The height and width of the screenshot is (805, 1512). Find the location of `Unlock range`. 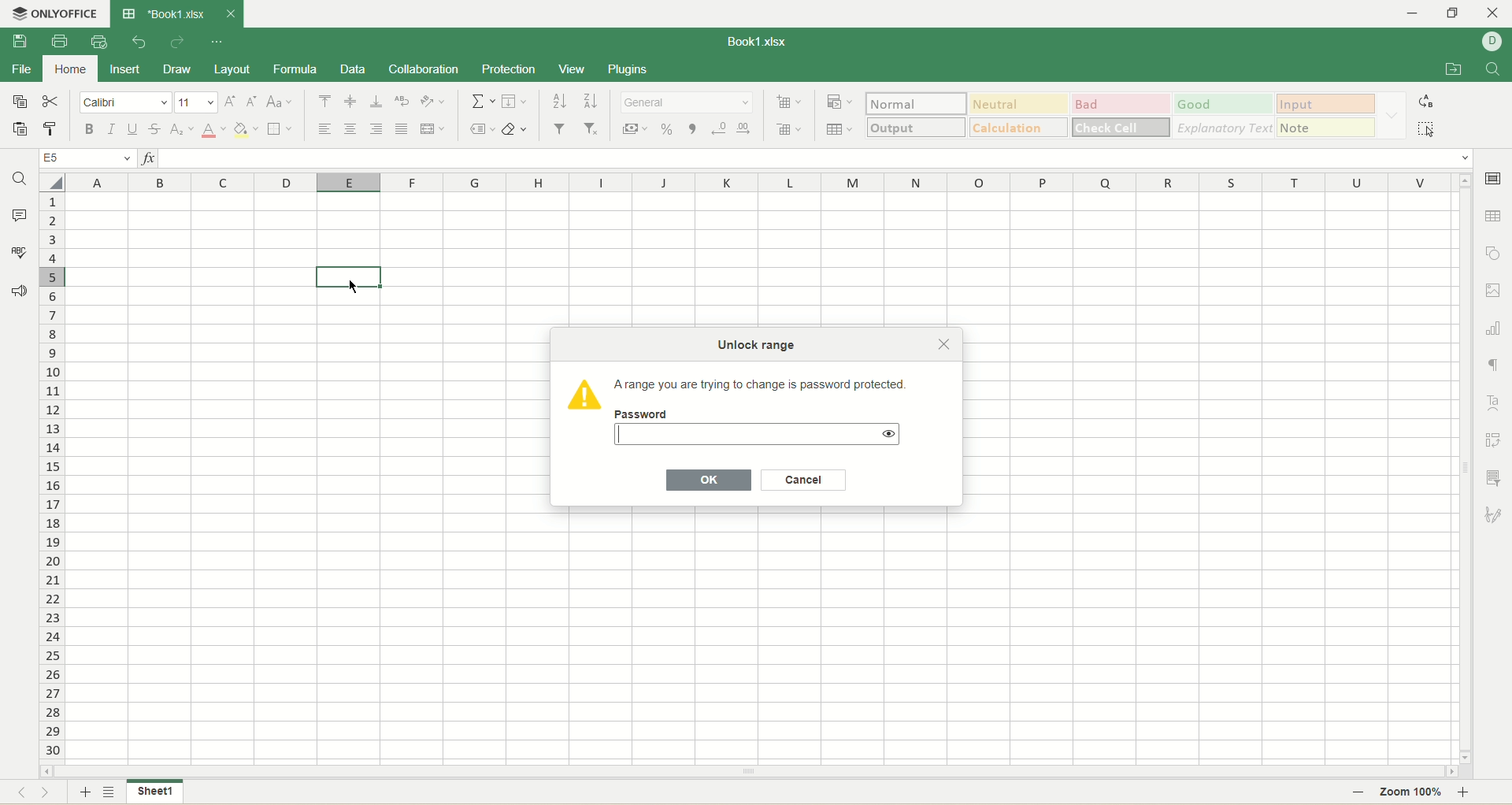

Unlock range is located at coordinates (755, 346).